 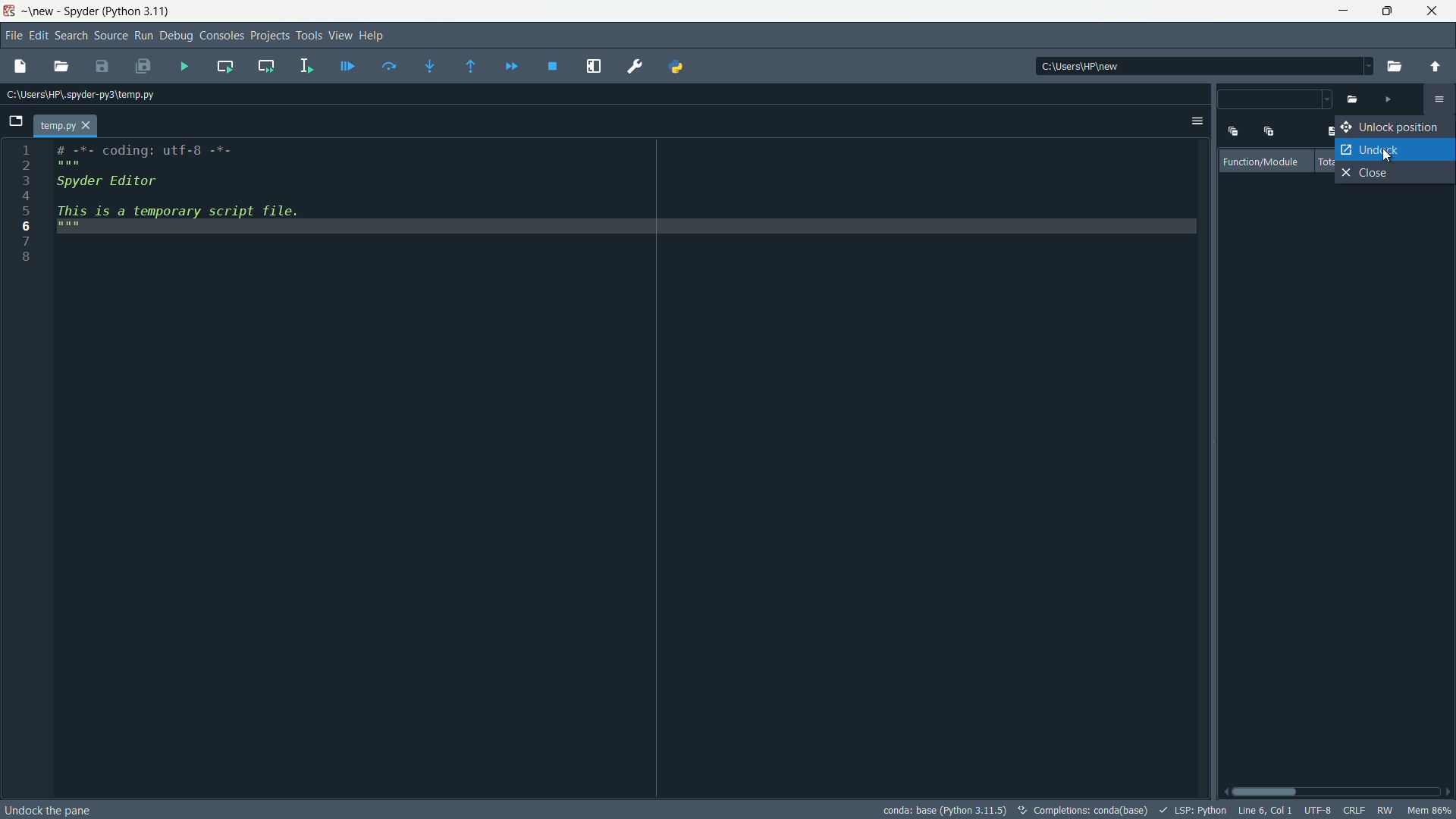 I want to click on continue execution until next function, so click(x=472, y=67).